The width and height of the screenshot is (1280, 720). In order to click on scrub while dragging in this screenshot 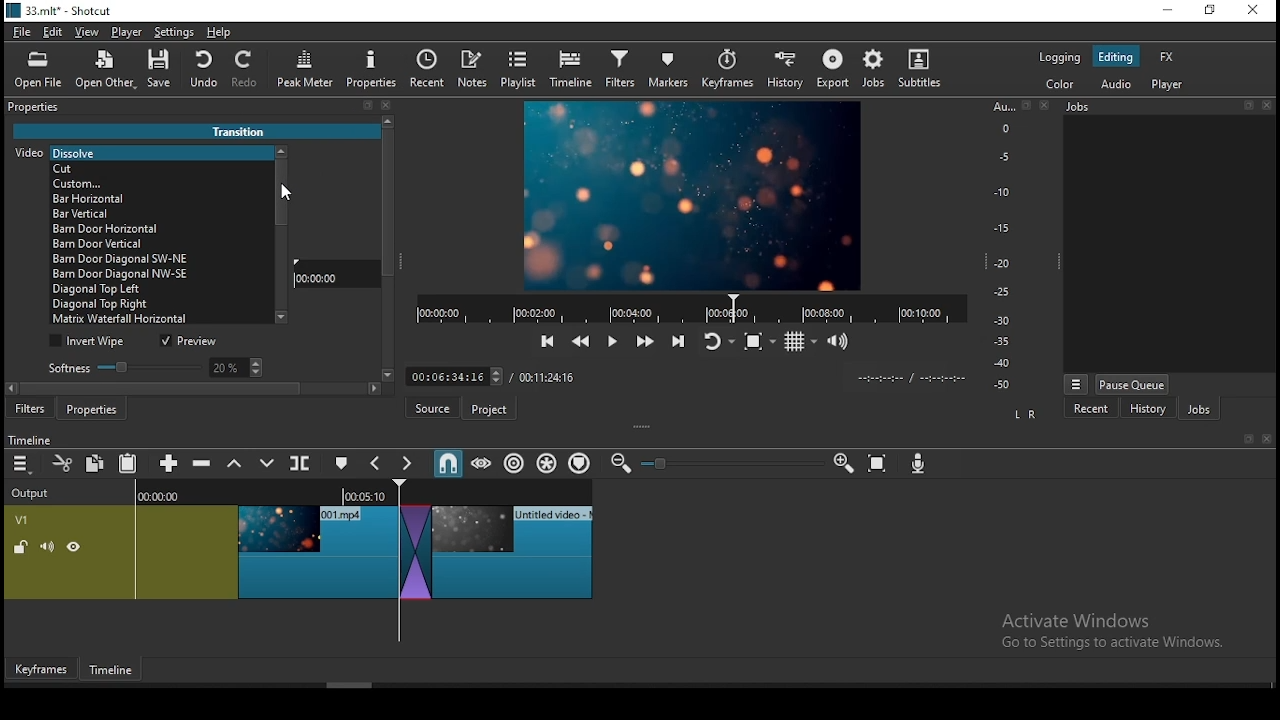, I will do `click(483, 464)`.